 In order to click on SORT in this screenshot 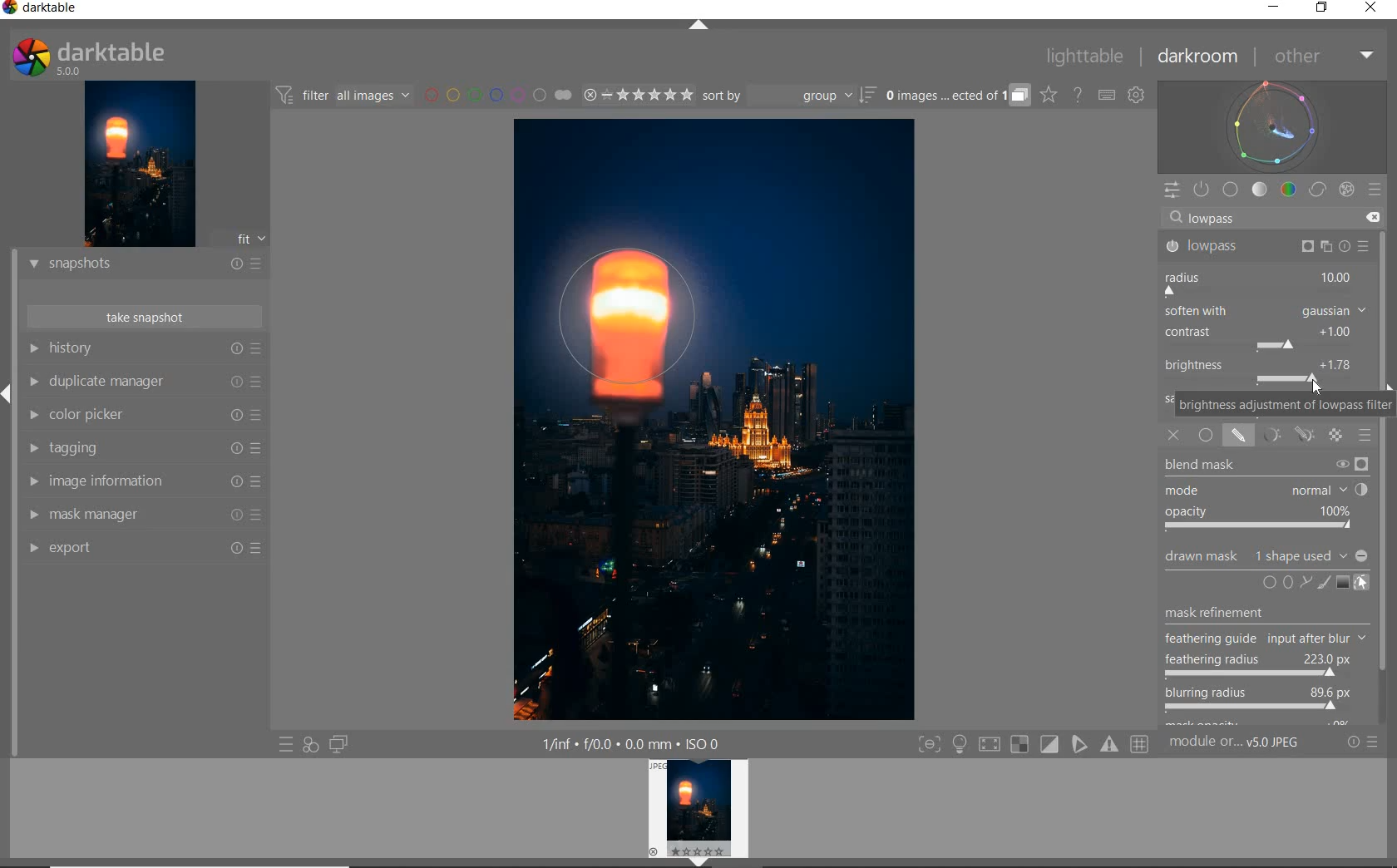, I will do `click(787, 97)`.